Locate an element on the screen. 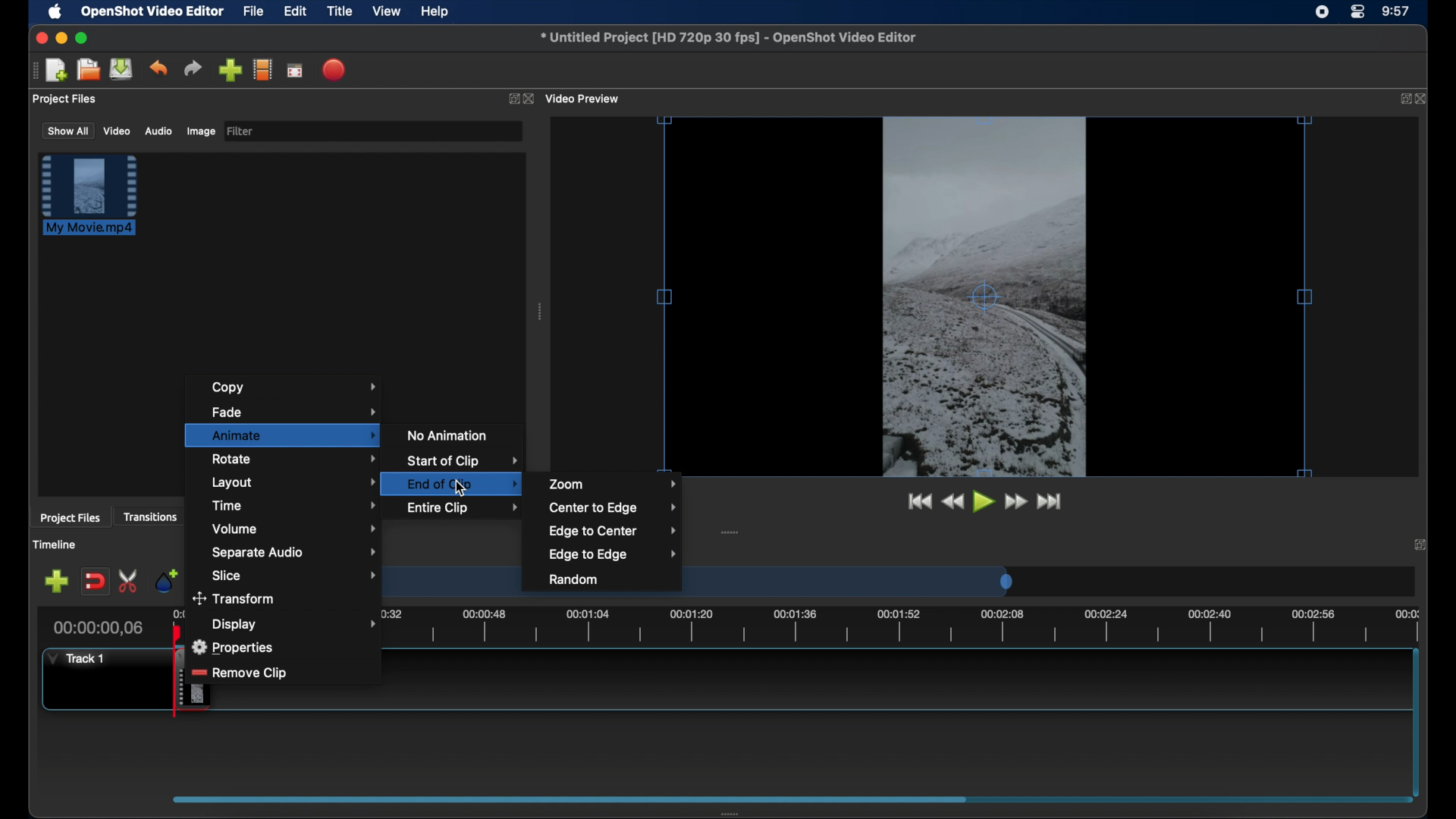 Image resolution: width=1456 pixels, height=819 pixels. entire clip menu is located at coordinates (463, 507).